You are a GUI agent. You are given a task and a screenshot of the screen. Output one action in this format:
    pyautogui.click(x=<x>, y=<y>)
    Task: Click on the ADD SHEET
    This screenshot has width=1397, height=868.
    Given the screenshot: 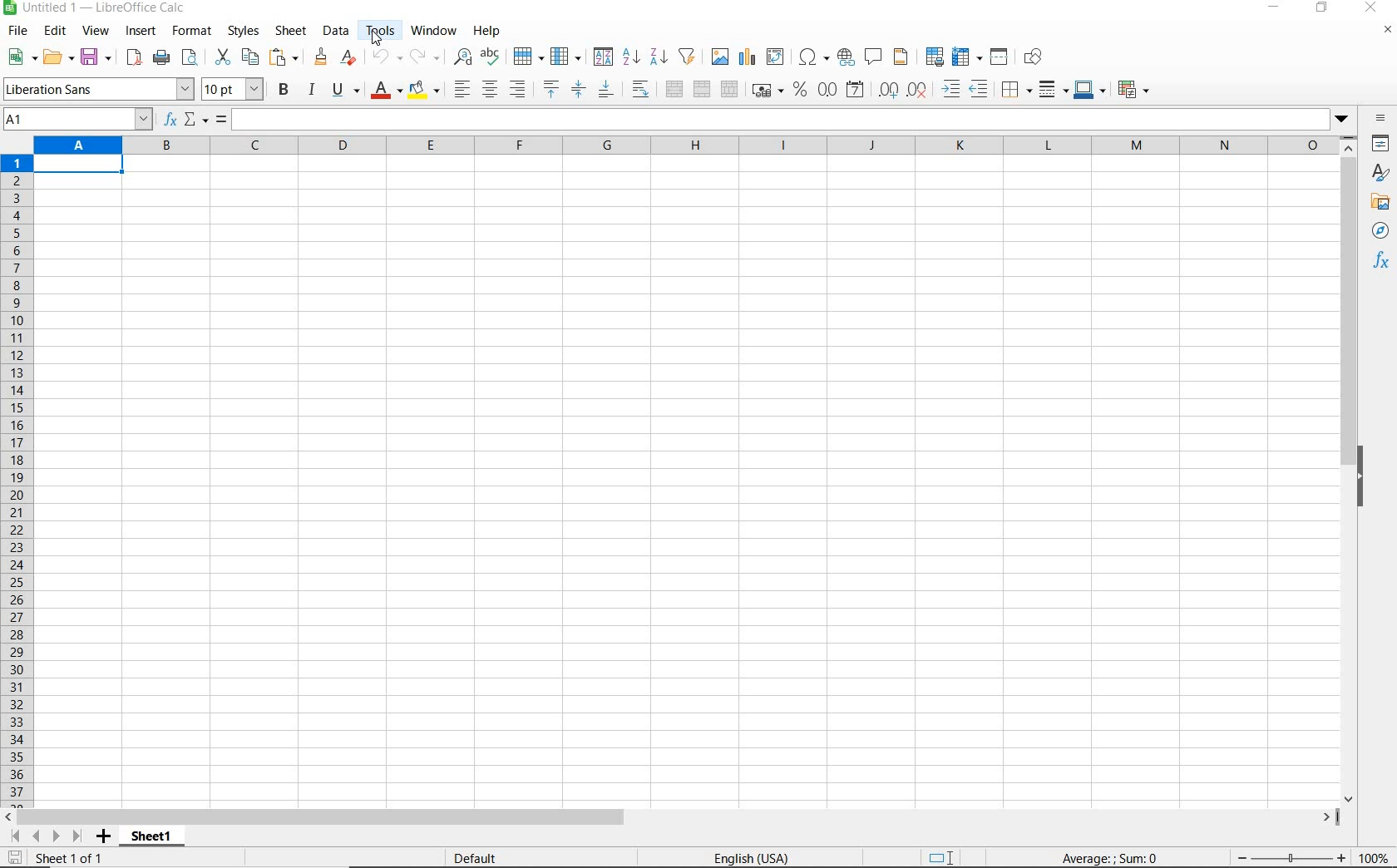 What is the action you would take?
    pyautogui.click(x=103, y=836)
    